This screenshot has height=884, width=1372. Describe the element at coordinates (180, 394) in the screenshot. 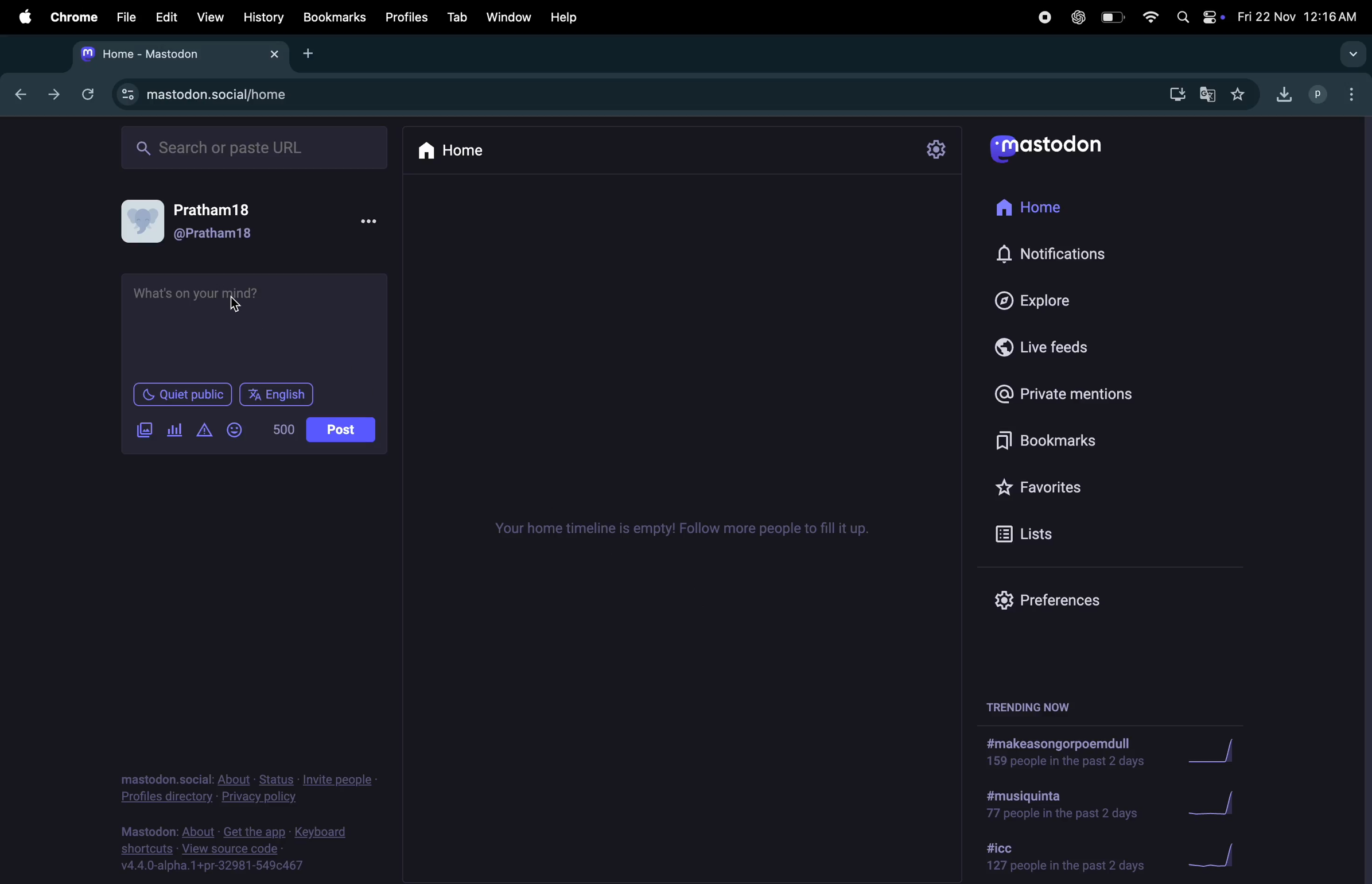

I see `quiet place` at that location.